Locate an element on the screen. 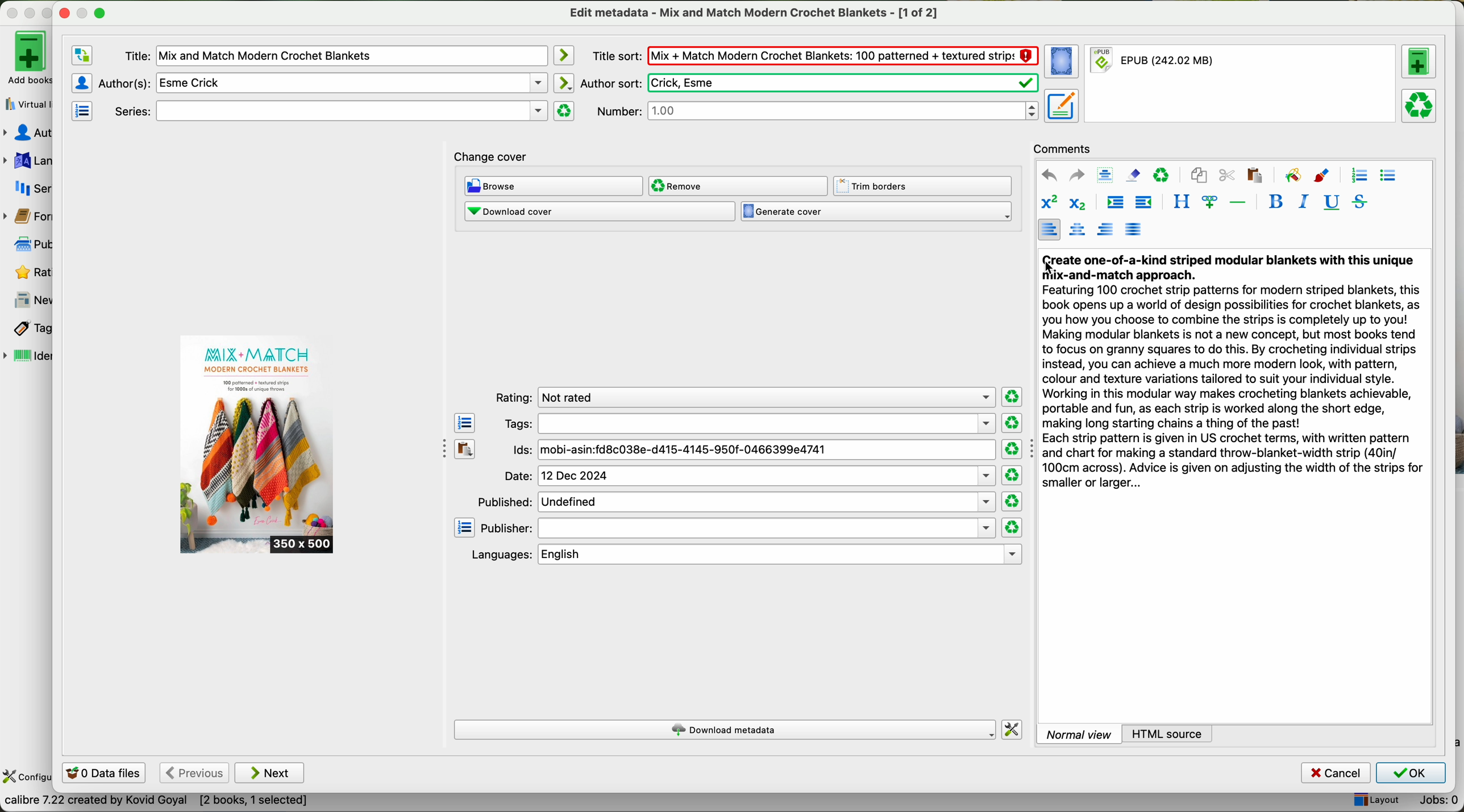 The image size is (1464, 812). HTML source is located at coordinates (1168, 733).